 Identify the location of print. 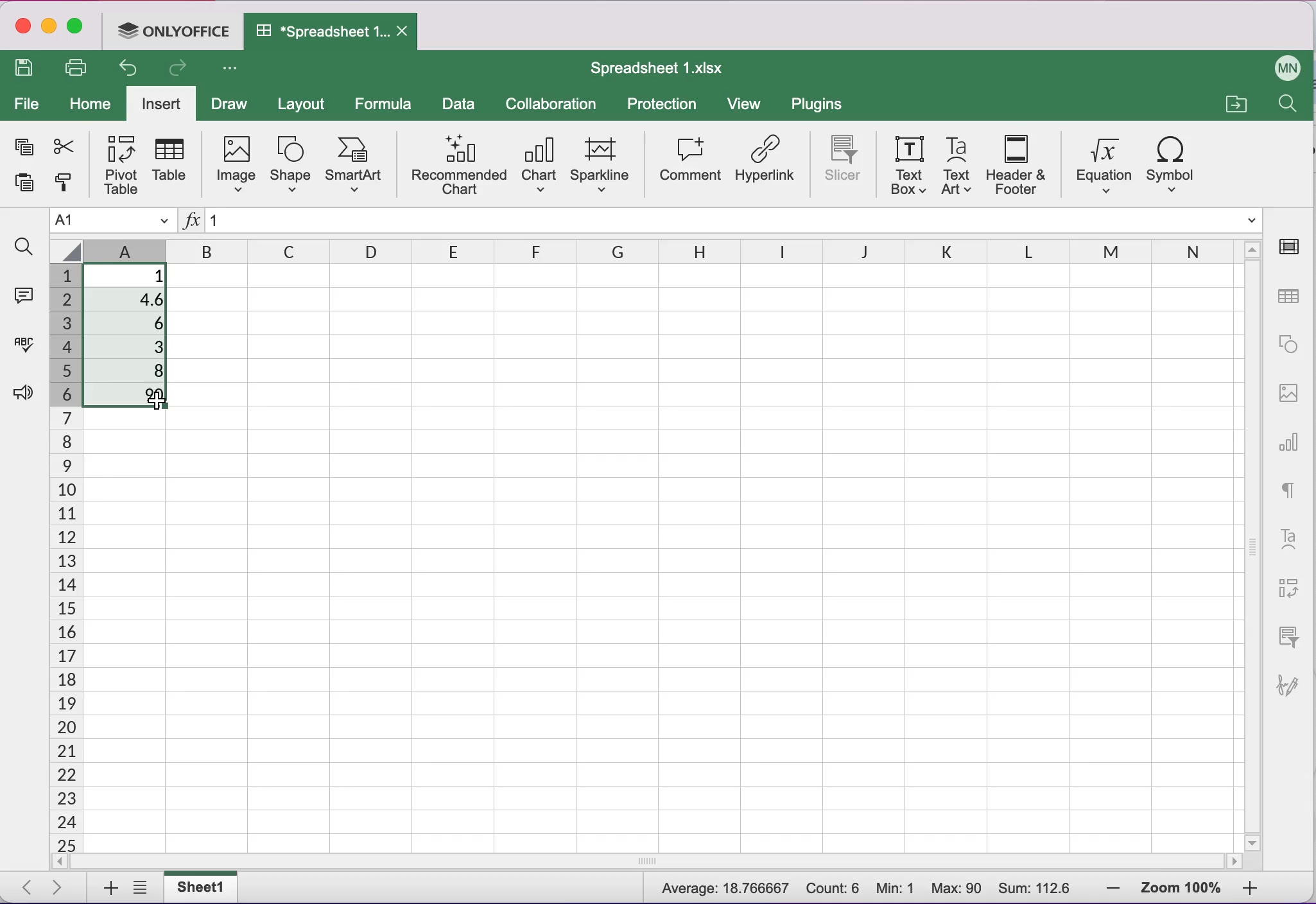
(77, 69).